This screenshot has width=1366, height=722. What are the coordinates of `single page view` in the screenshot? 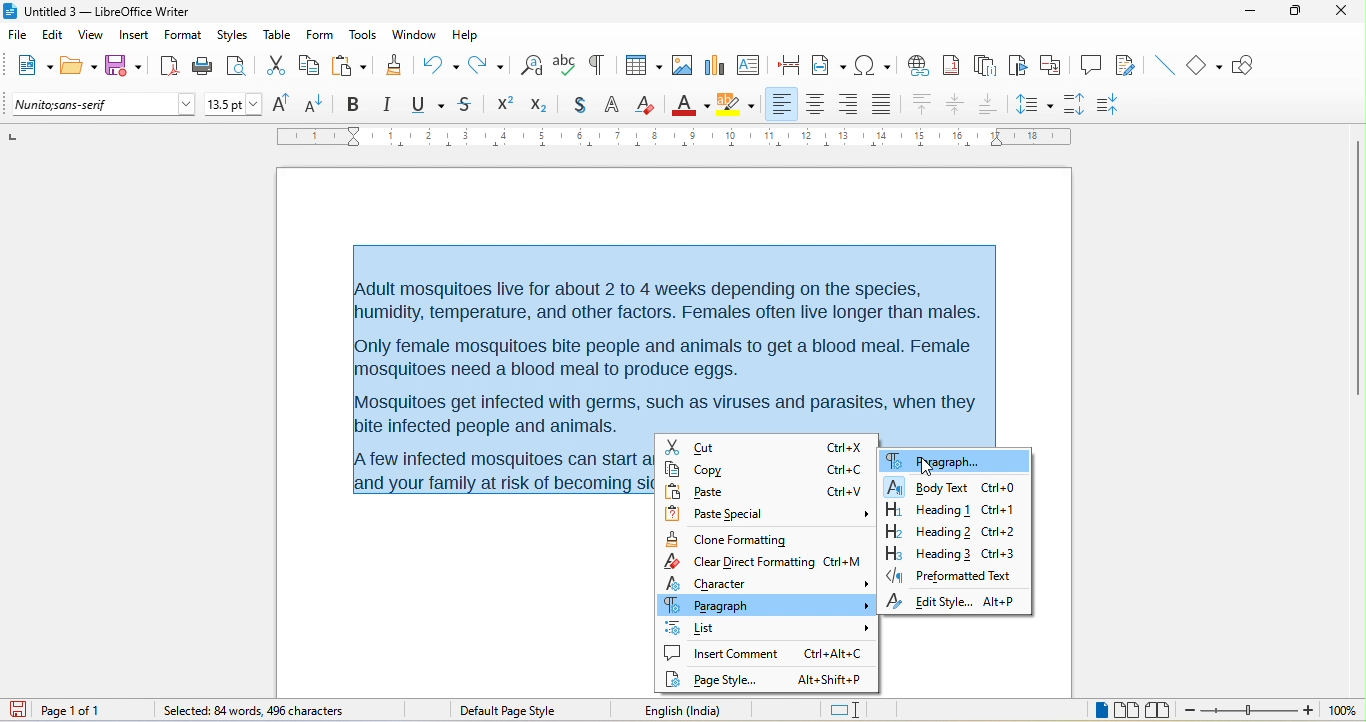 It's located at (1092, 711).